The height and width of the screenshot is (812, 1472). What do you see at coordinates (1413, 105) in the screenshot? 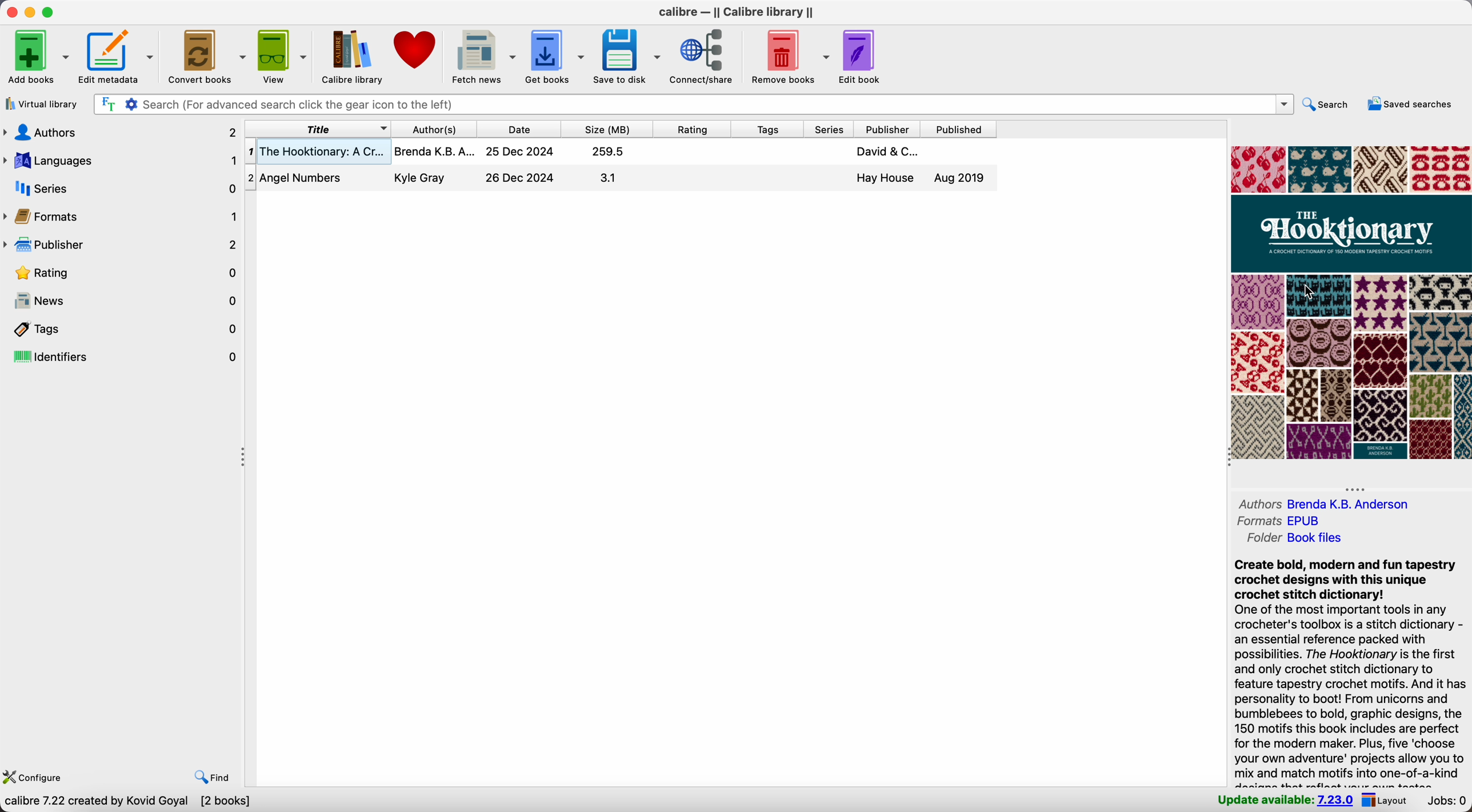
I see `saved searches` at bounding box center [1413, 105].